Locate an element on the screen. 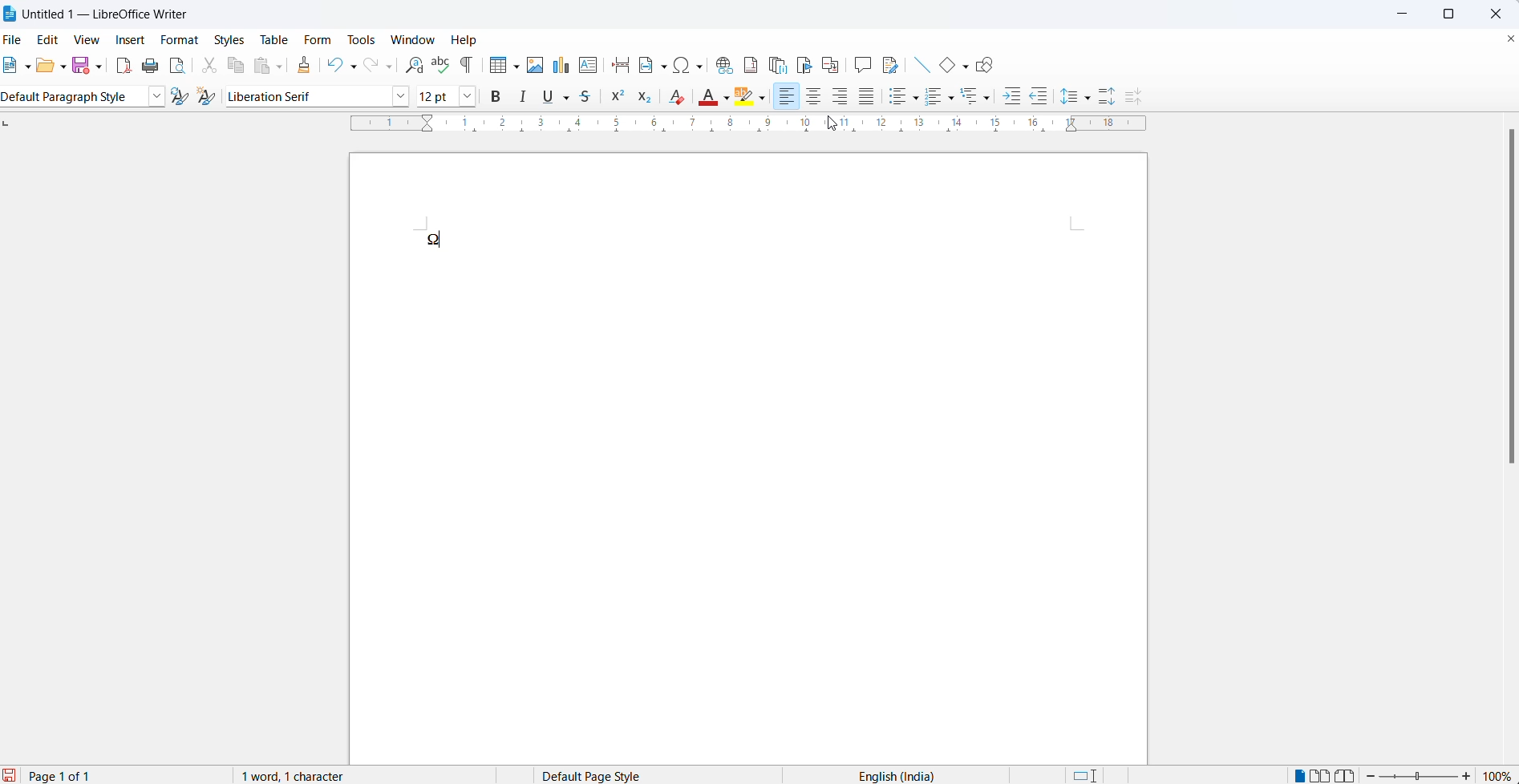  current page is located at coordinates (64, 774).